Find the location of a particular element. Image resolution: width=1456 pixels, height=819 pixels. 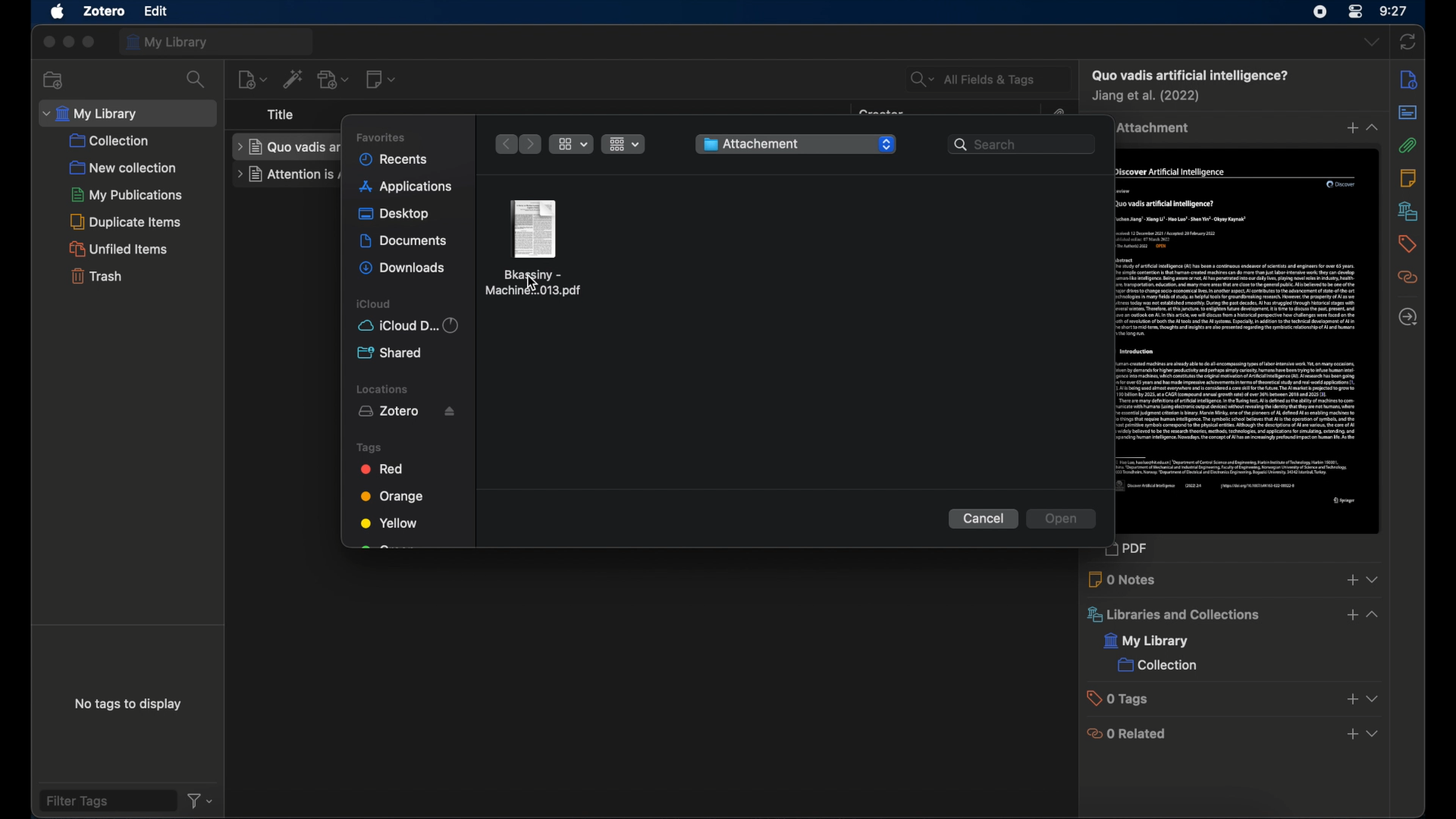

add is located at coordinates (1351, 700).